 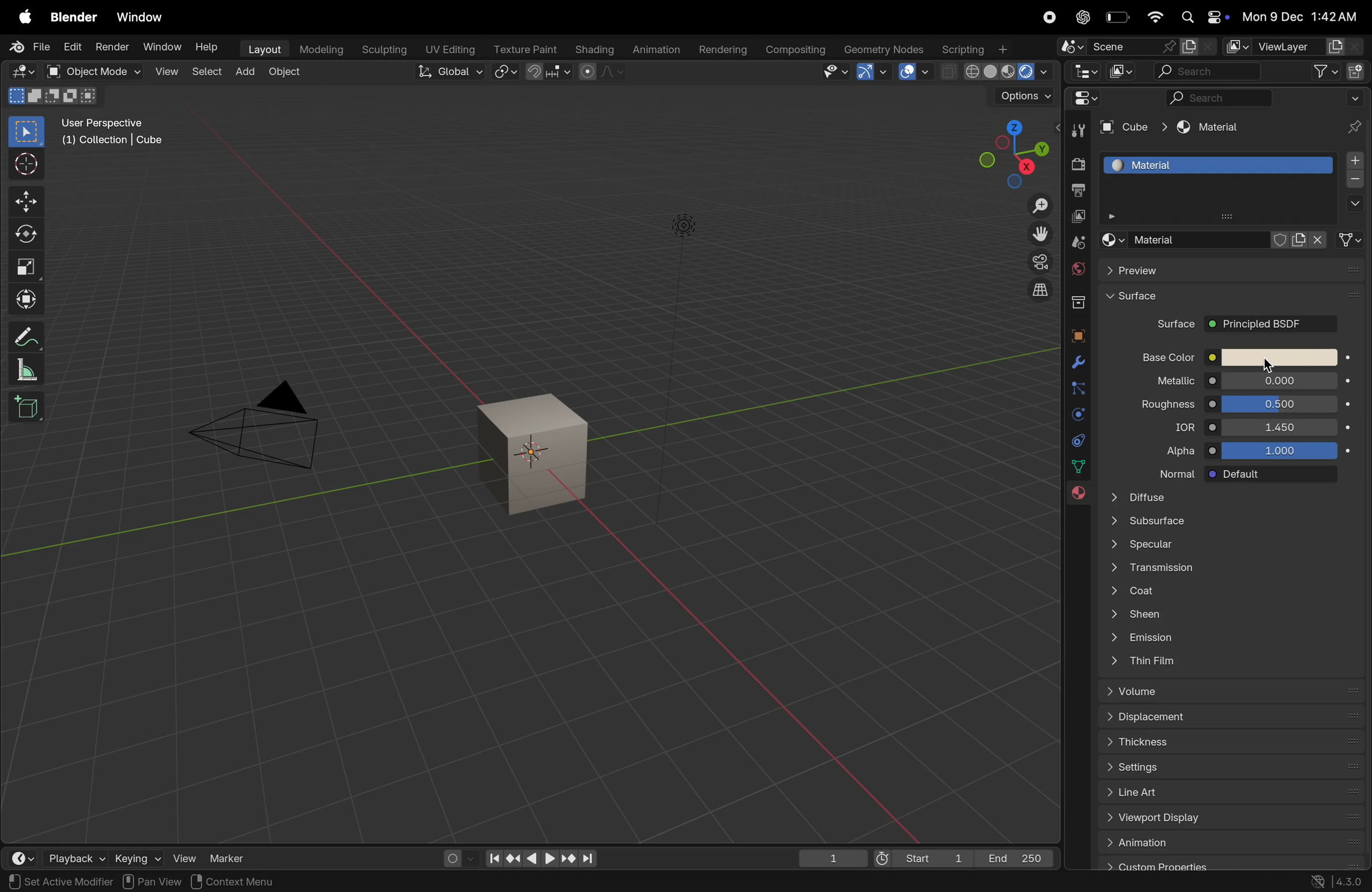 I want to click on add new material, so click(x=1302, y=240).